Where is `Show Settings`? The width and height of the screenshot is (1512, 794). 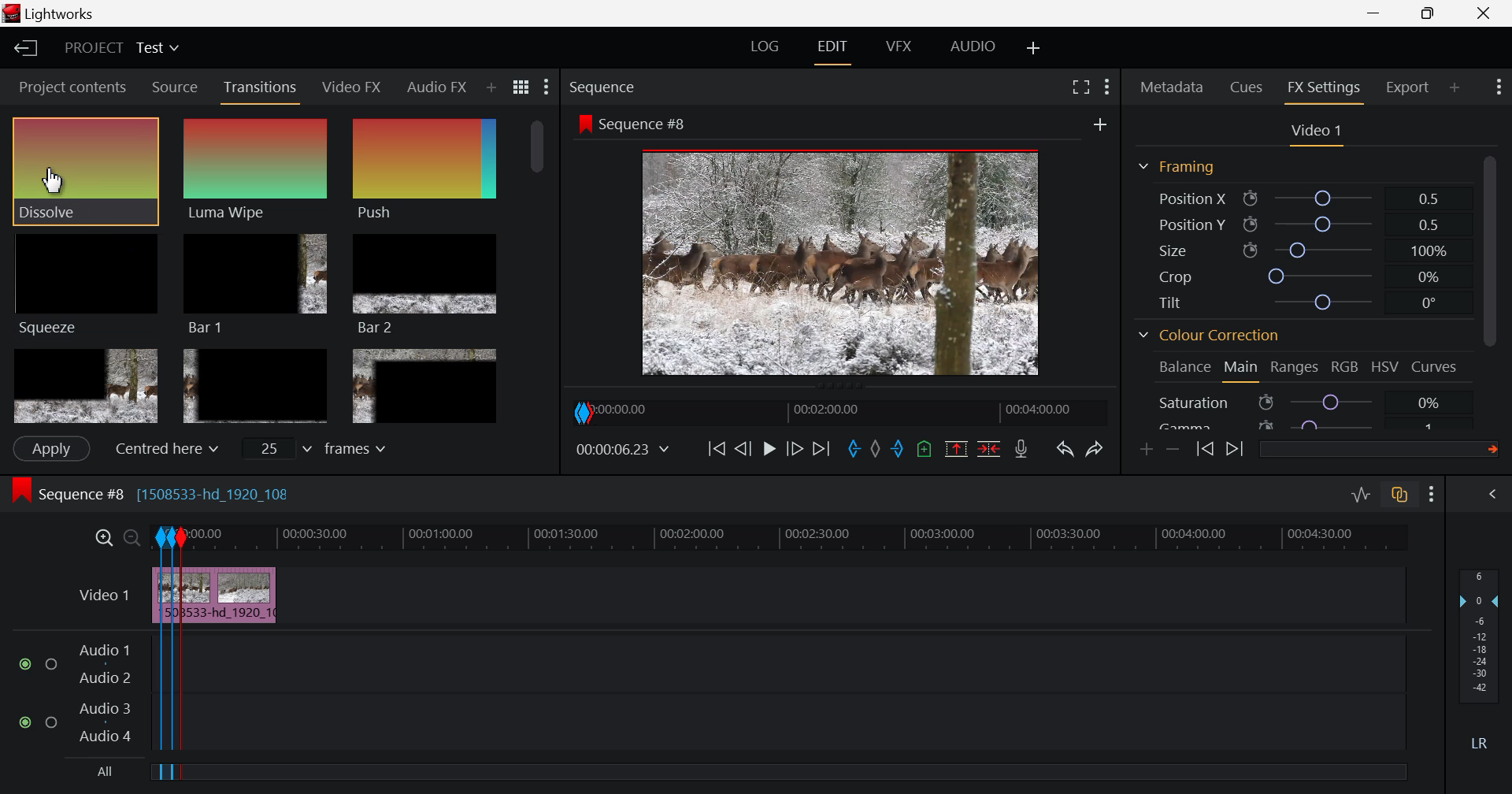 Show Settings is located at coordinates (1497, 87).